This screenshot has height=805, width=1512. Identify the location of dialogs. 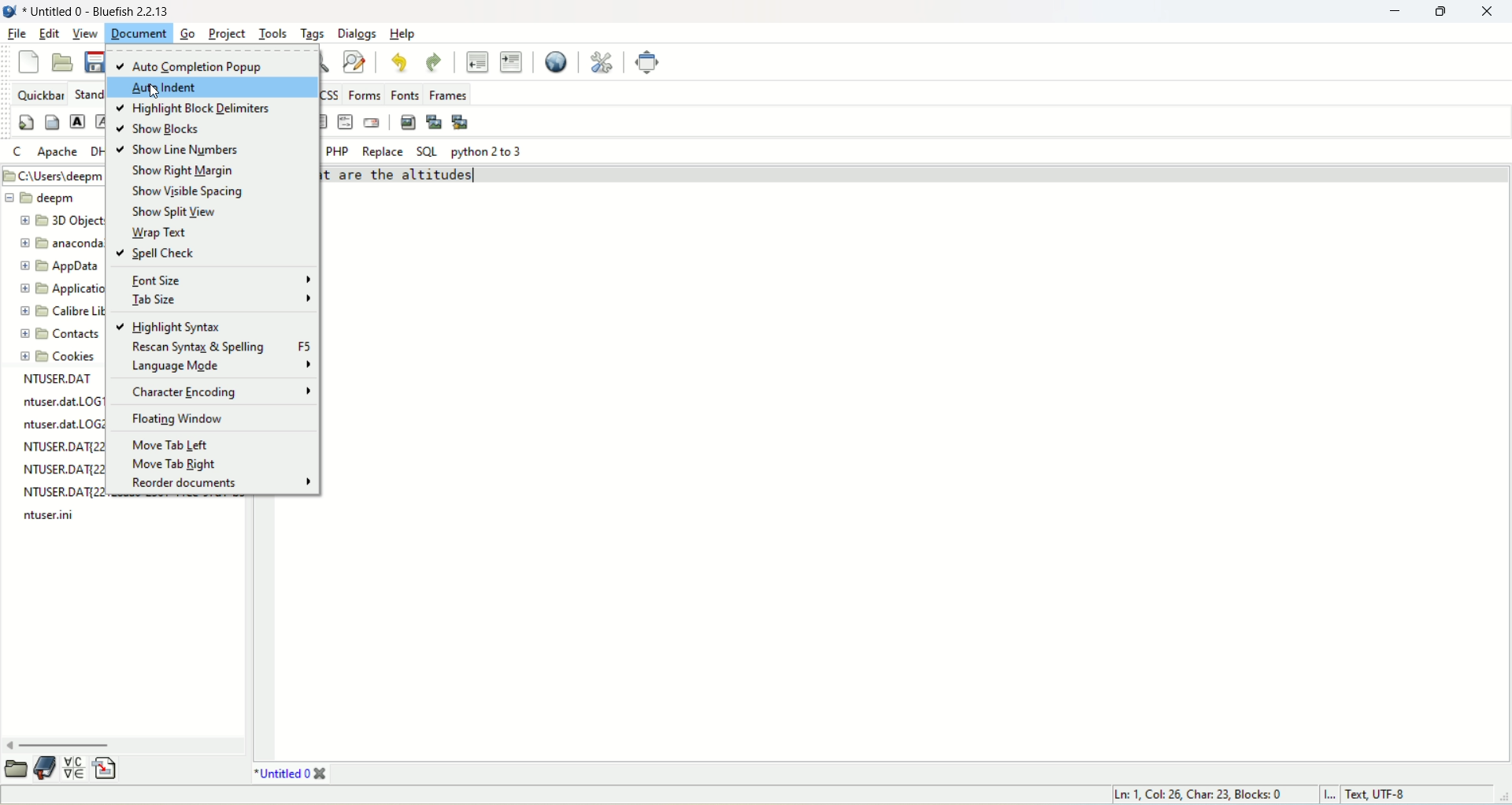
(358, 35).